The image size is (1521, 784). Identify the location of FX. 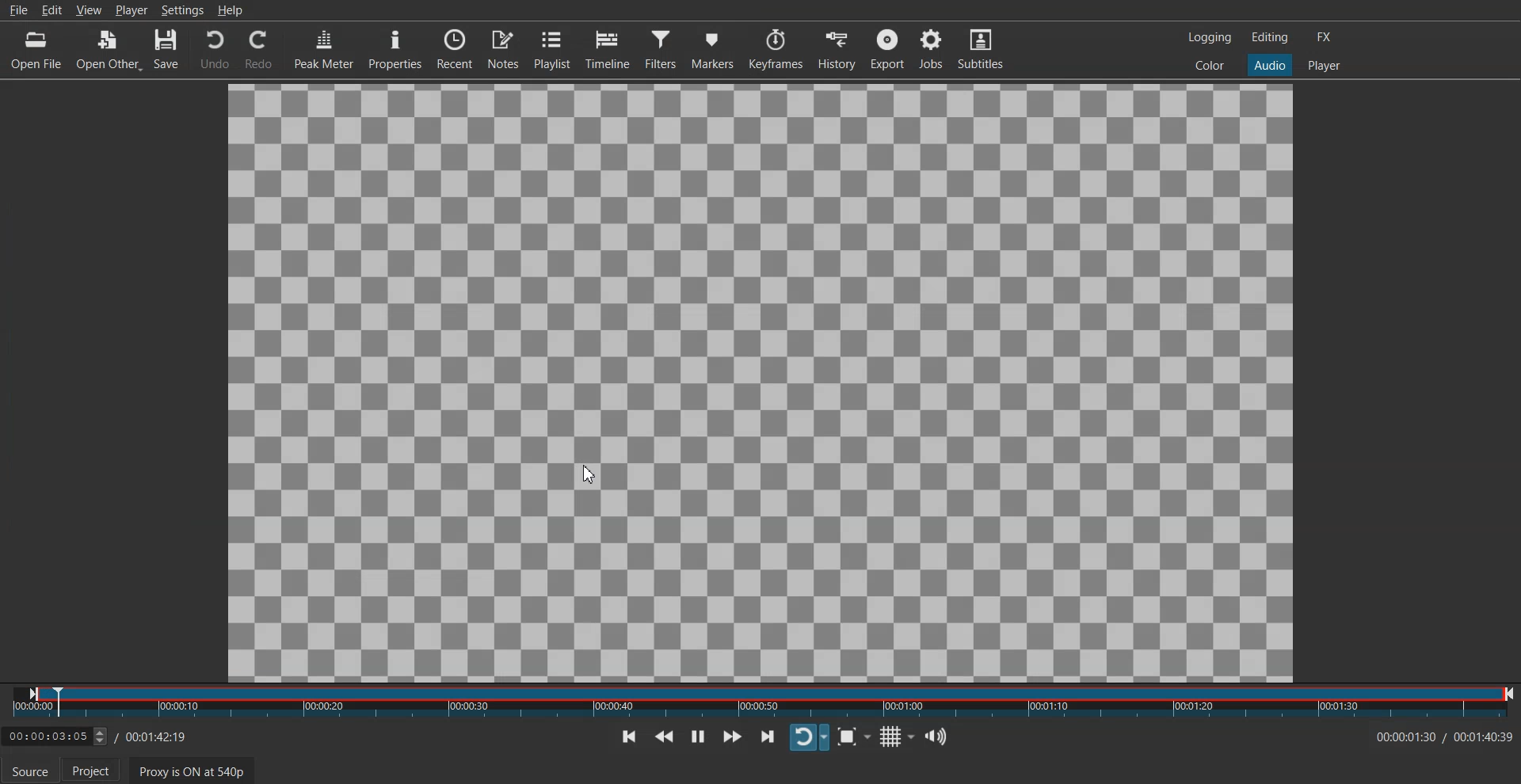
(1325, 36).